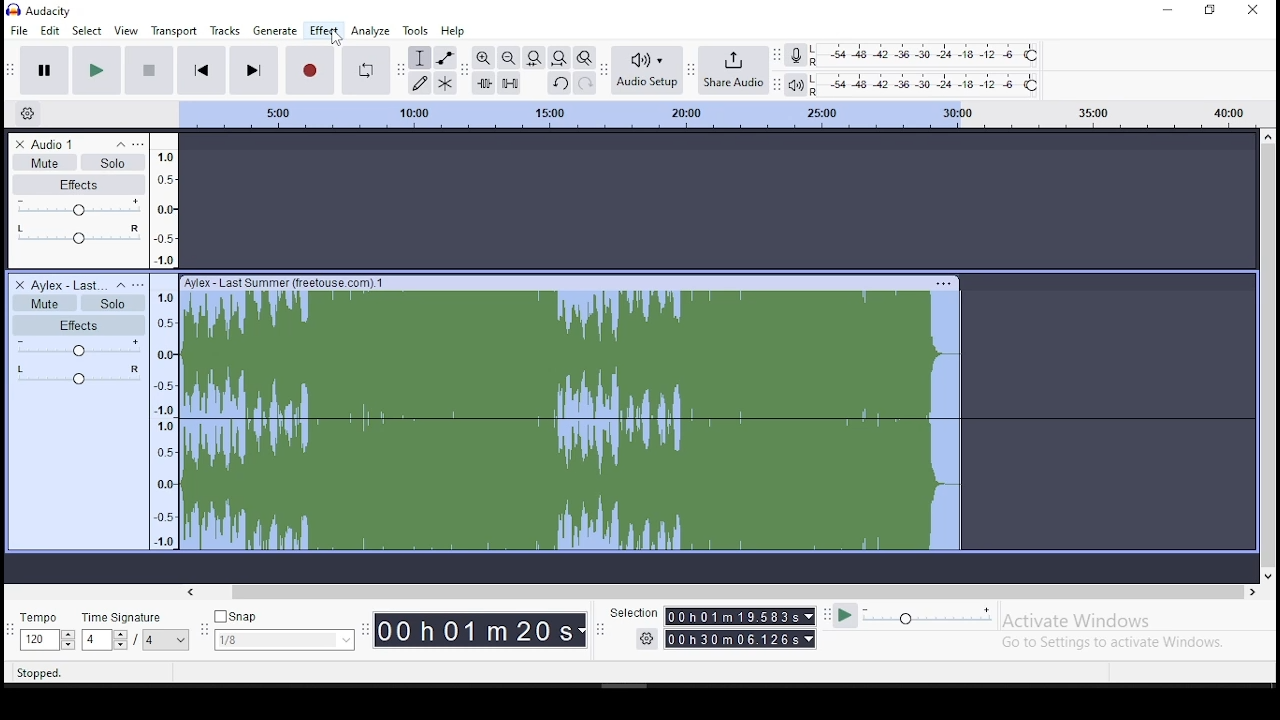  What do you see at coordinates (277, 31) in the screenshot?
I see `generate` at bounding box center [277, 31].